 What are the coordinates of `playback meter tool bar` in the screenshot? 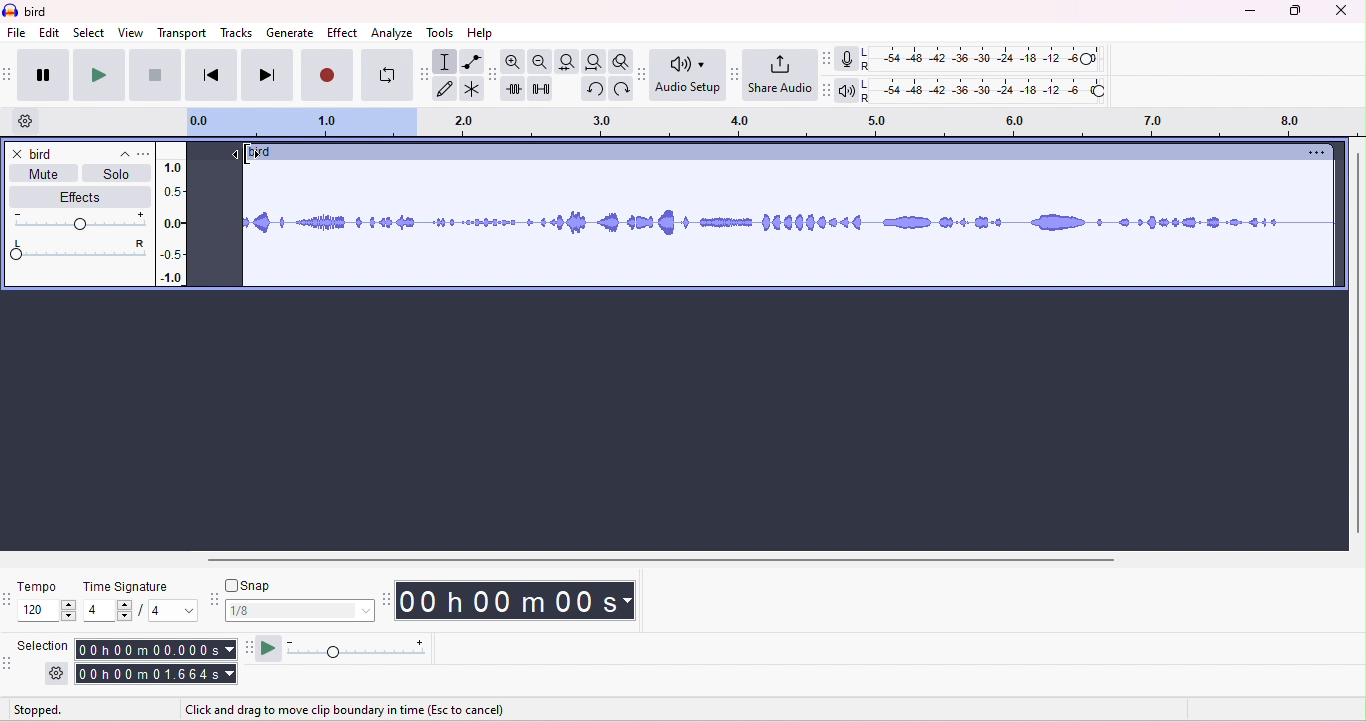 It's located at (823, 91).